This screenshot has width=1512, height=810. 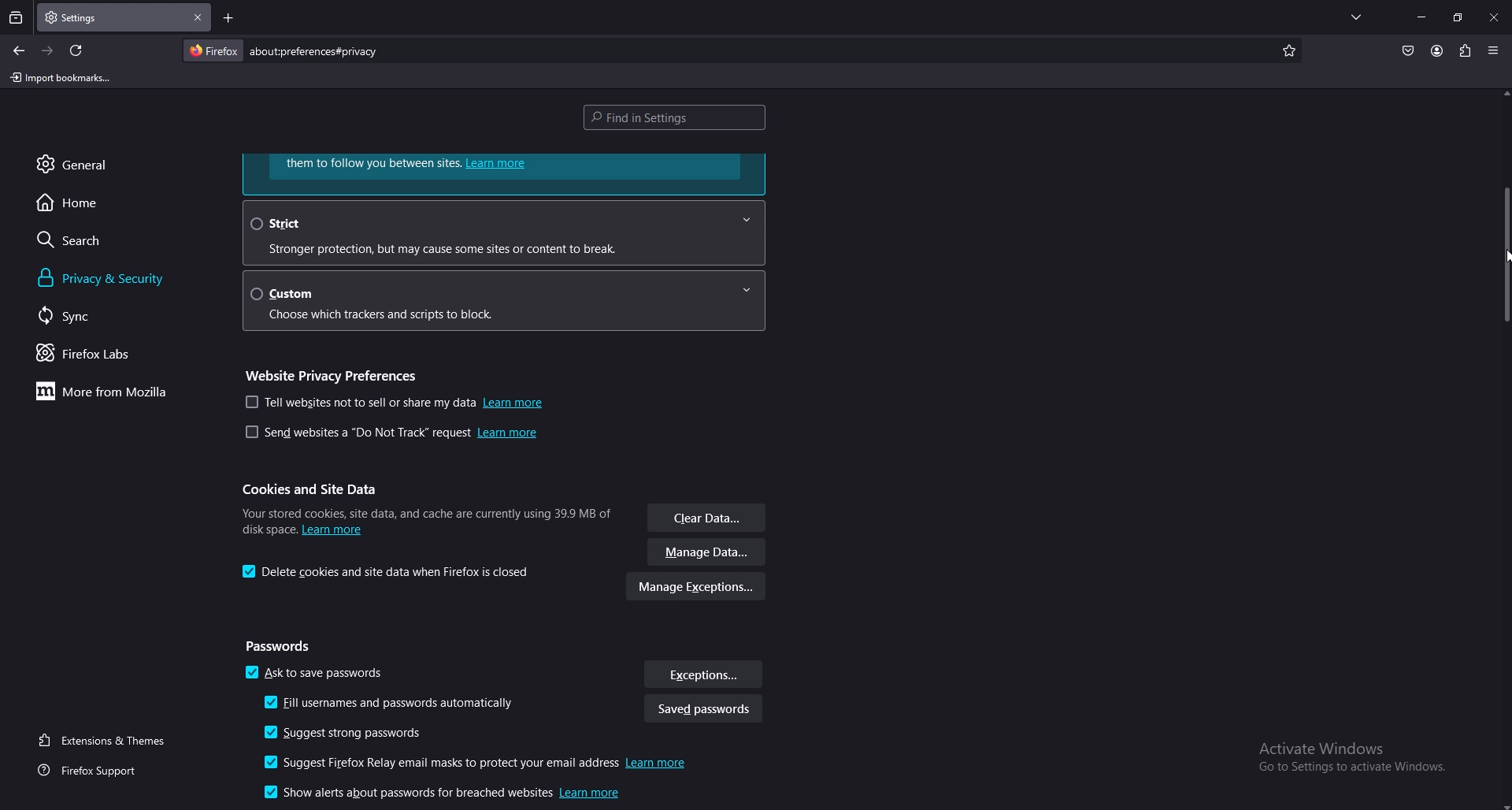 I want to click on website privacy preference, so click(x=336, y=373).